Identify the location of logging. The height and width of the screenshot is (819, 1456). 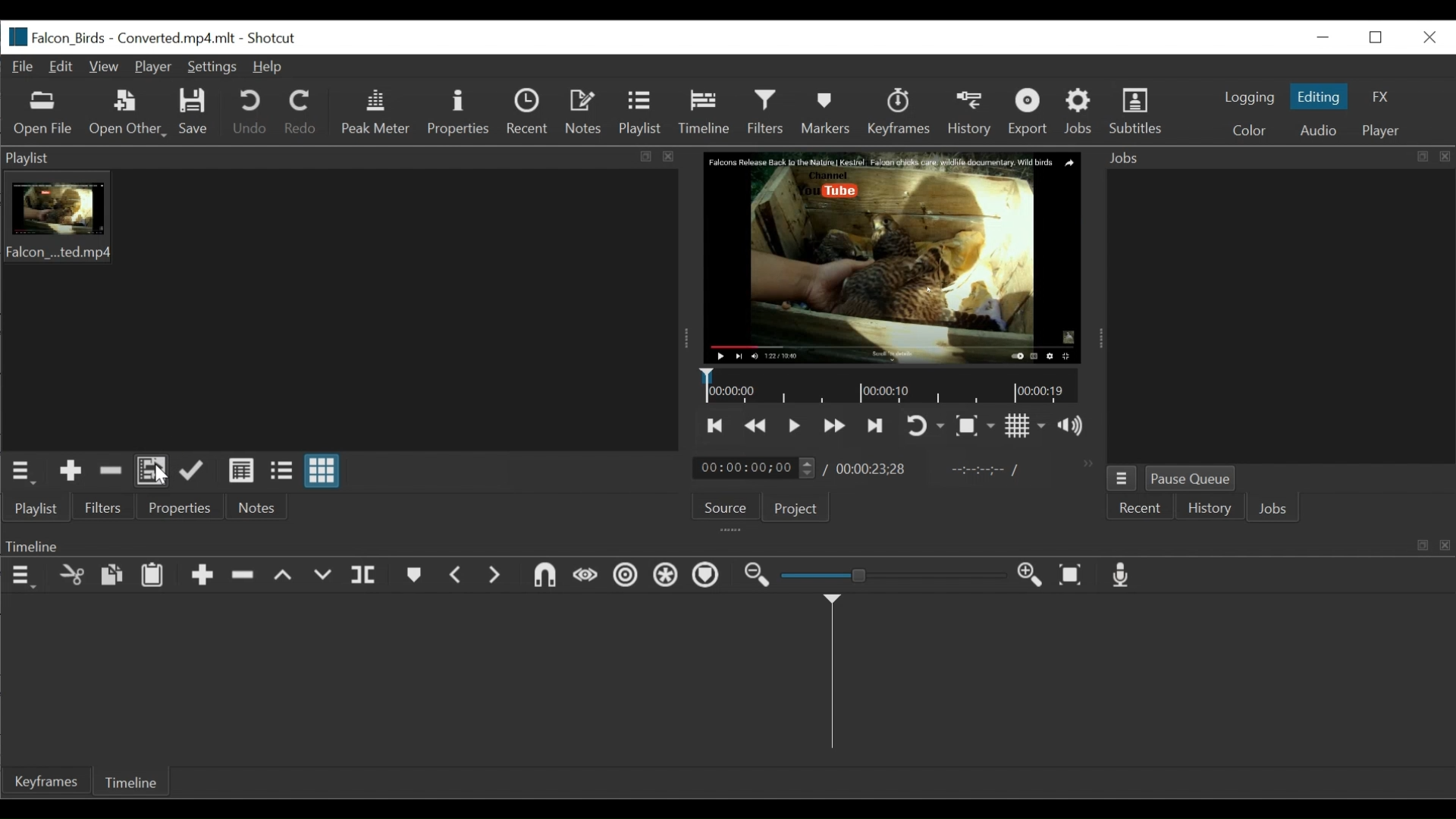
(1247, 99).